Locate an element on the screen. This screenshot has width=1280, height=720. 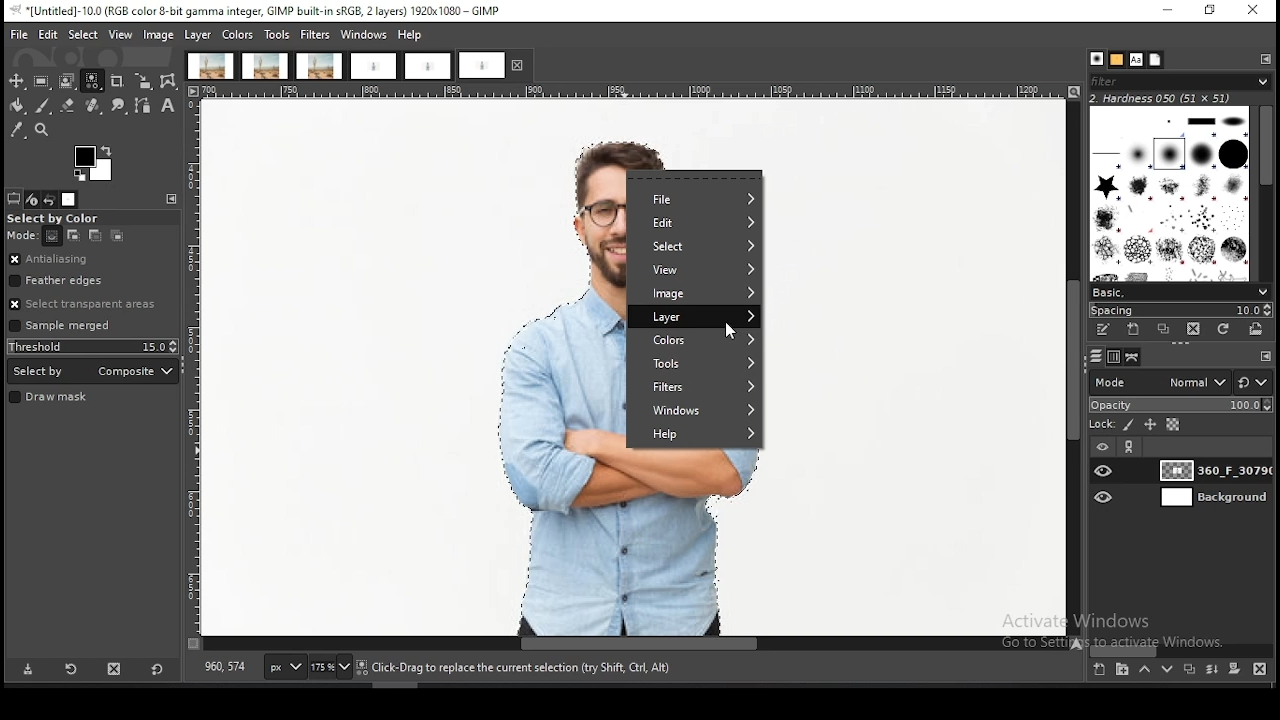
select is located at coordinates (693, 249).